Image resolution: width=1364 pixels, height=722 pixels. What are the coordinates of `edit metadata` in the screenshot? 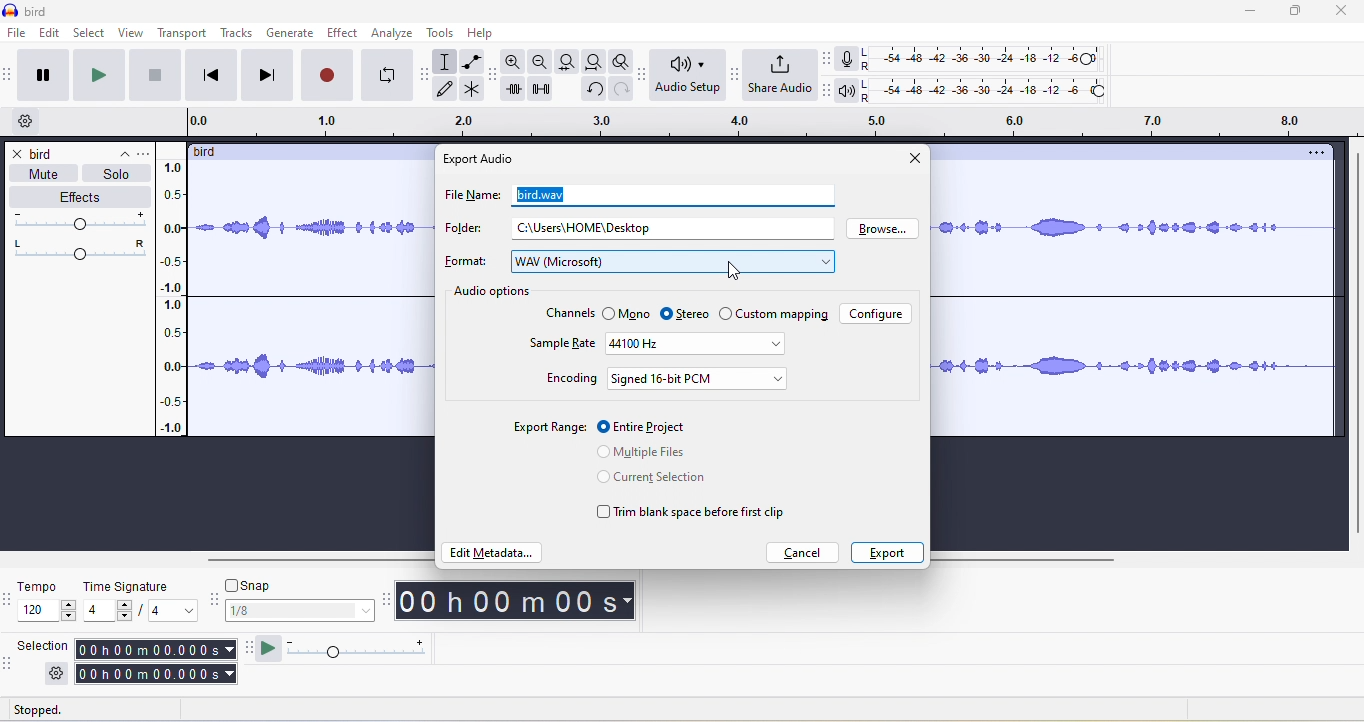 It's located at (492, 555).